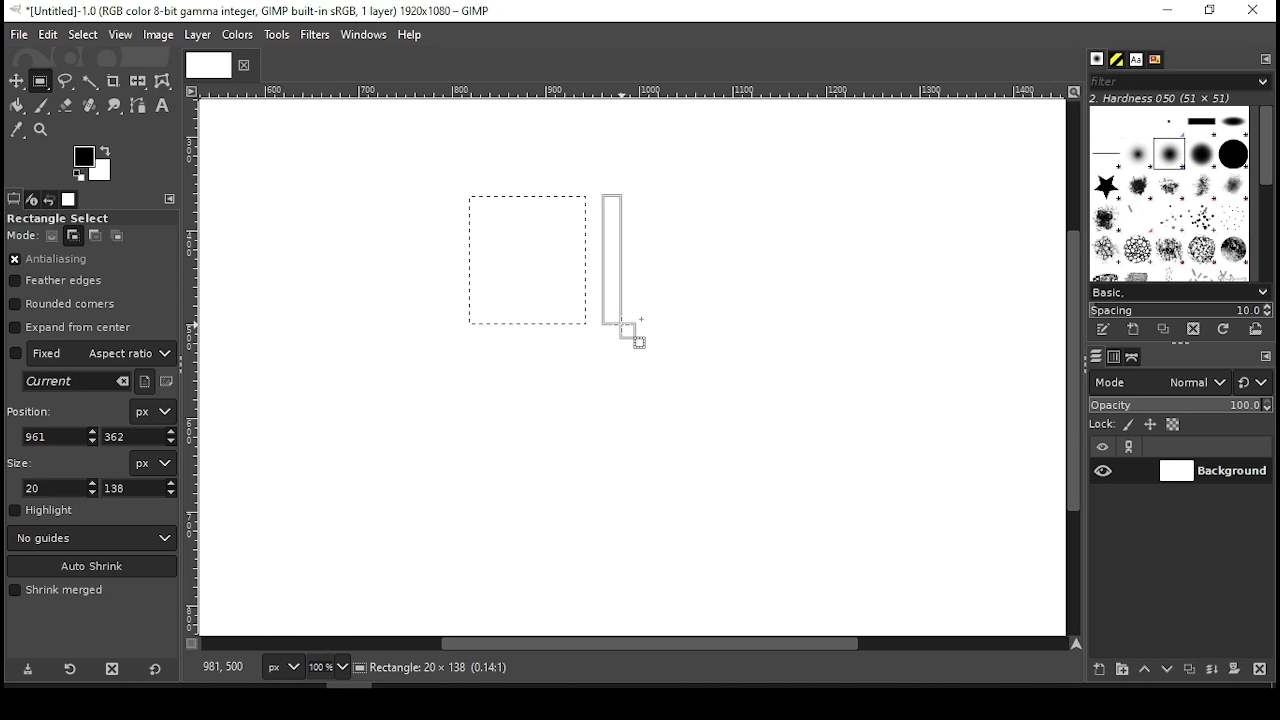 The width and height of the screenshot is (1280, 720). I want to click on edit this brush, so click(1102, 331).